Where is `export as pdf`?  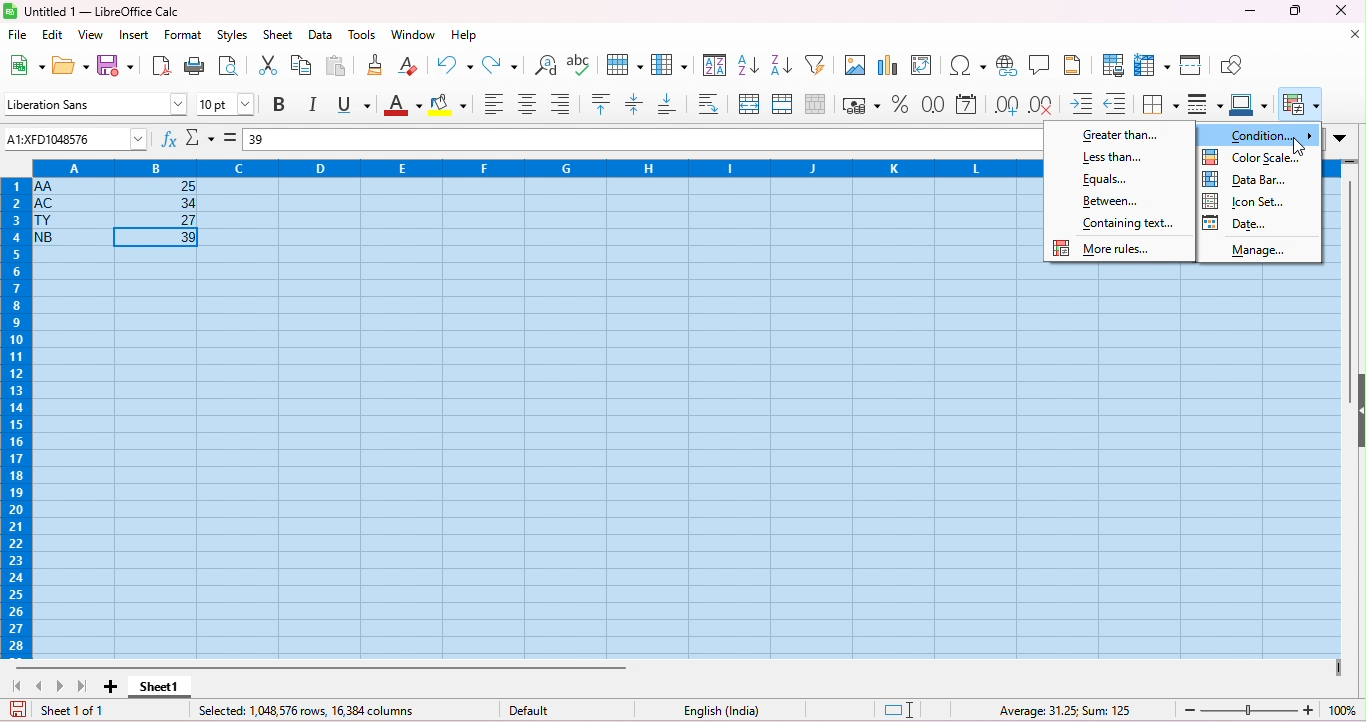 export as pdf is located at coordinates (161, 65).